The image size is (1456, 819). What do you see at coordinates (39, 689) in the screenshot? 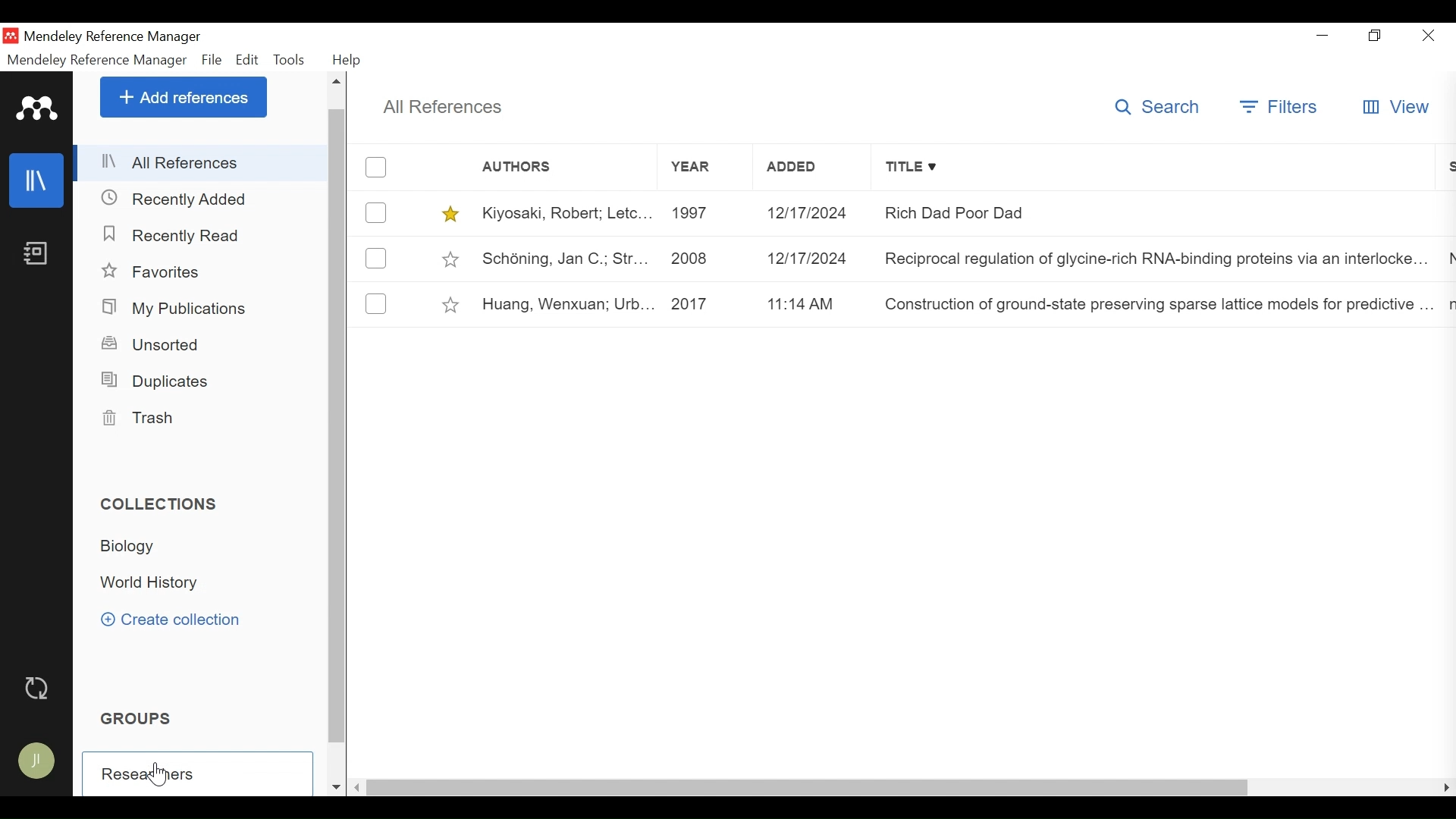
I see `Sync` at bounding box center [39, 689].